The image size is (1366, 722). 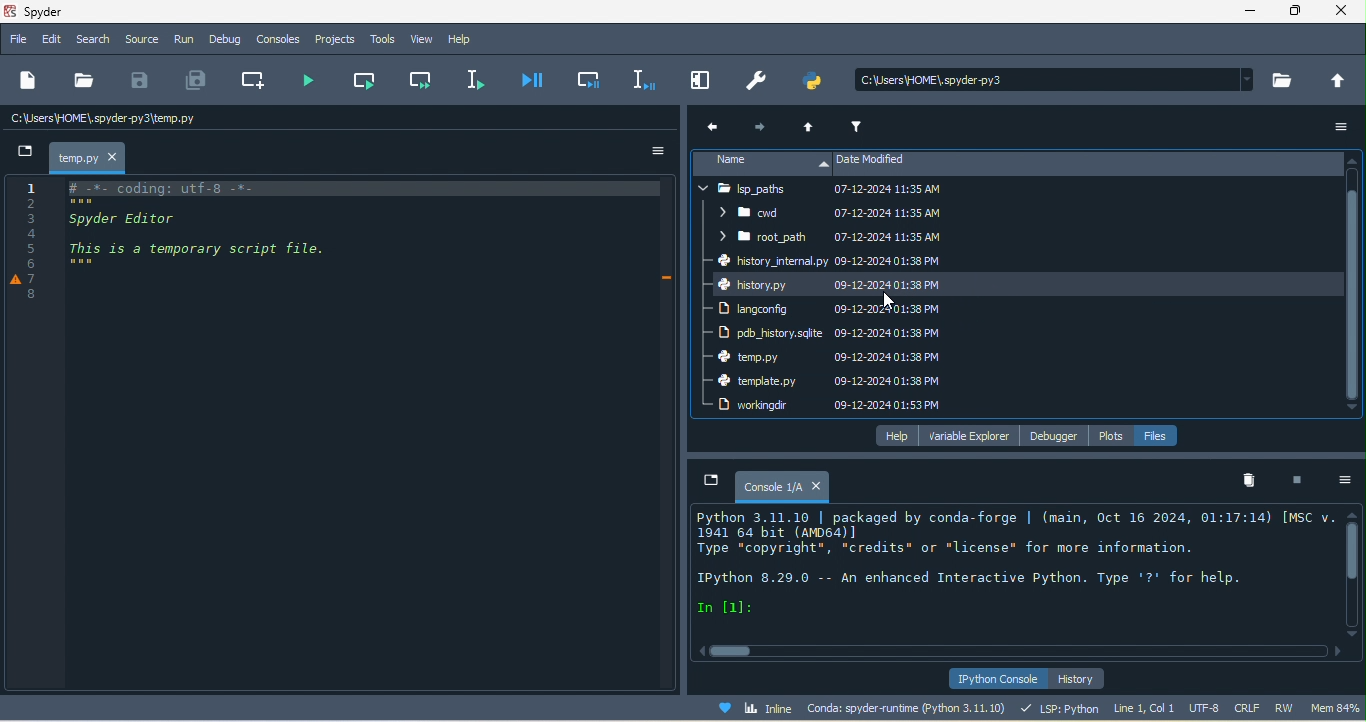 I want to click on preferences, so click(x=759, y=80).